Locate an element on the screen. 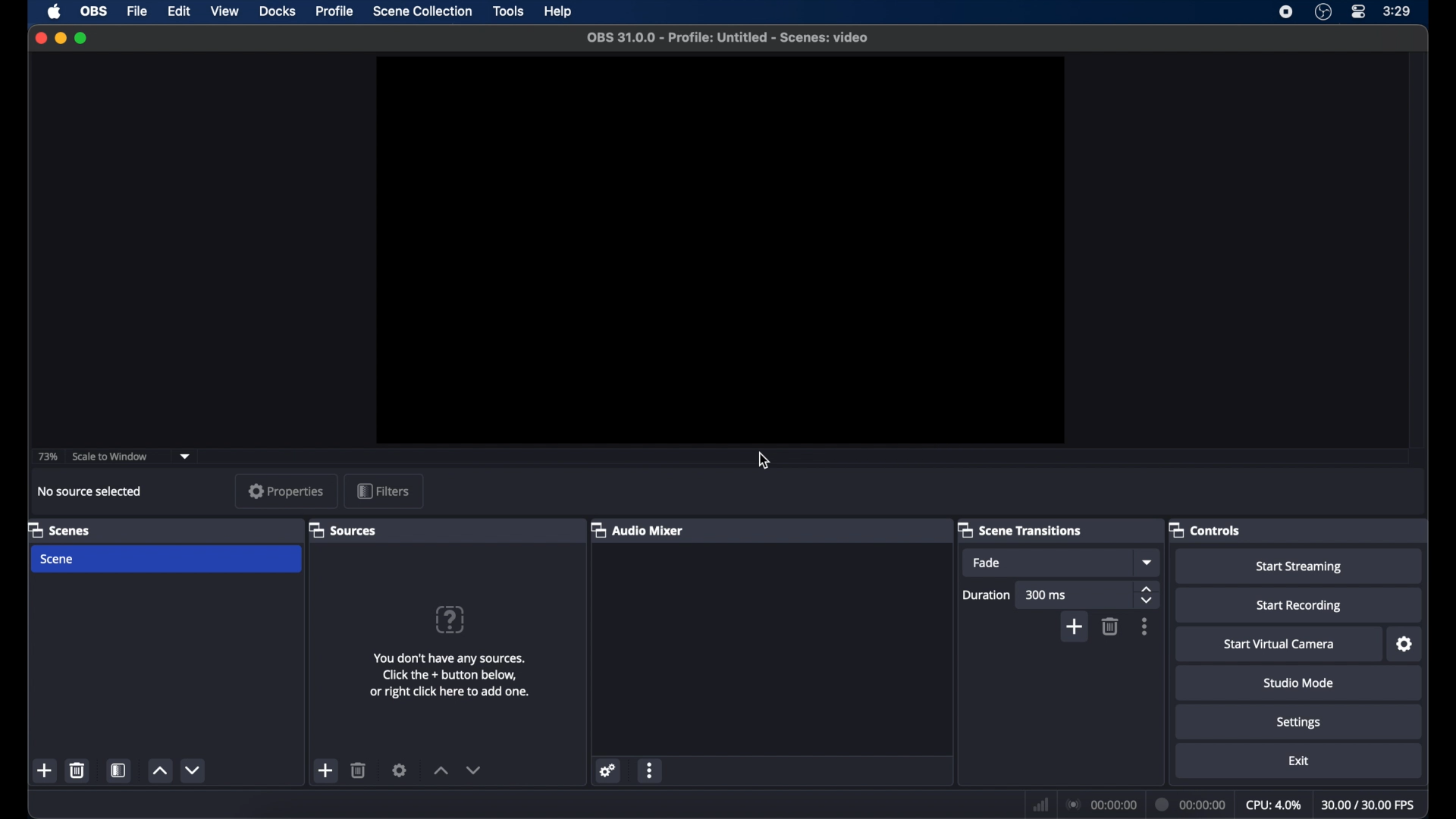  cursor is located at coordinates (764, 461).